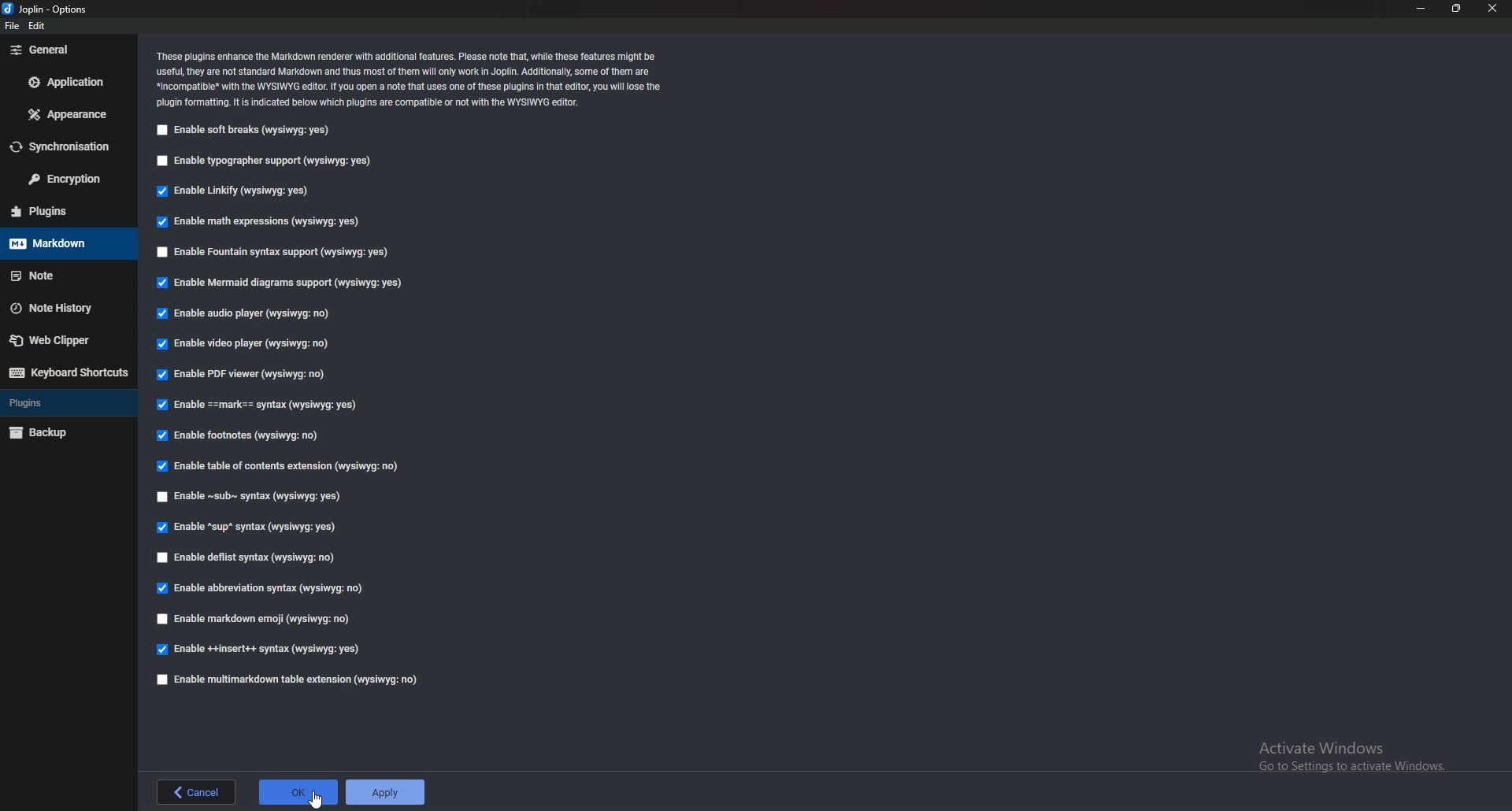  Describe the element at coordinates (12, 26) in the screenshot. I see `file` at that location.